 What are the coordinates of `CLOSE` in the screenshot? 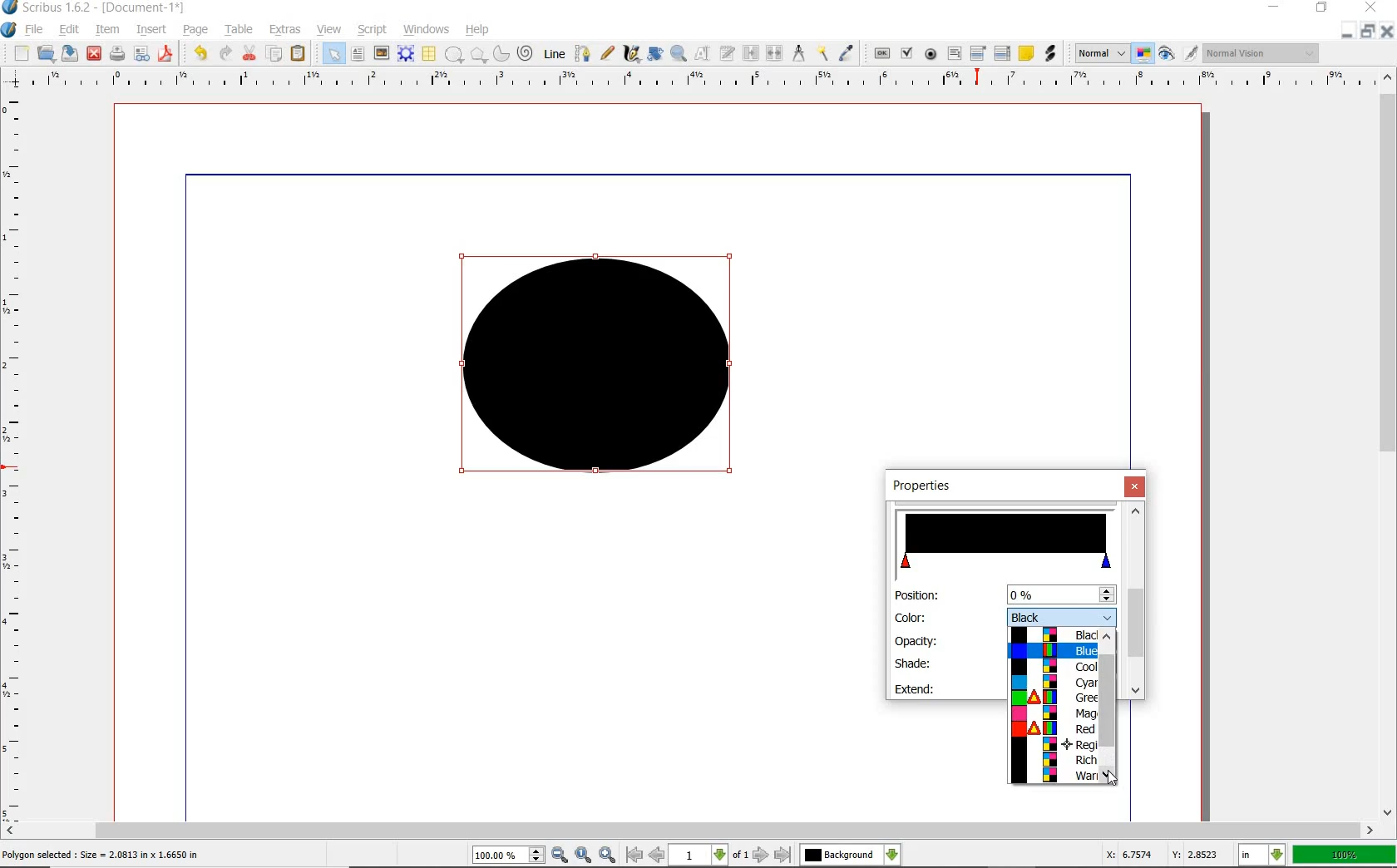 It's located at (1387, 32).